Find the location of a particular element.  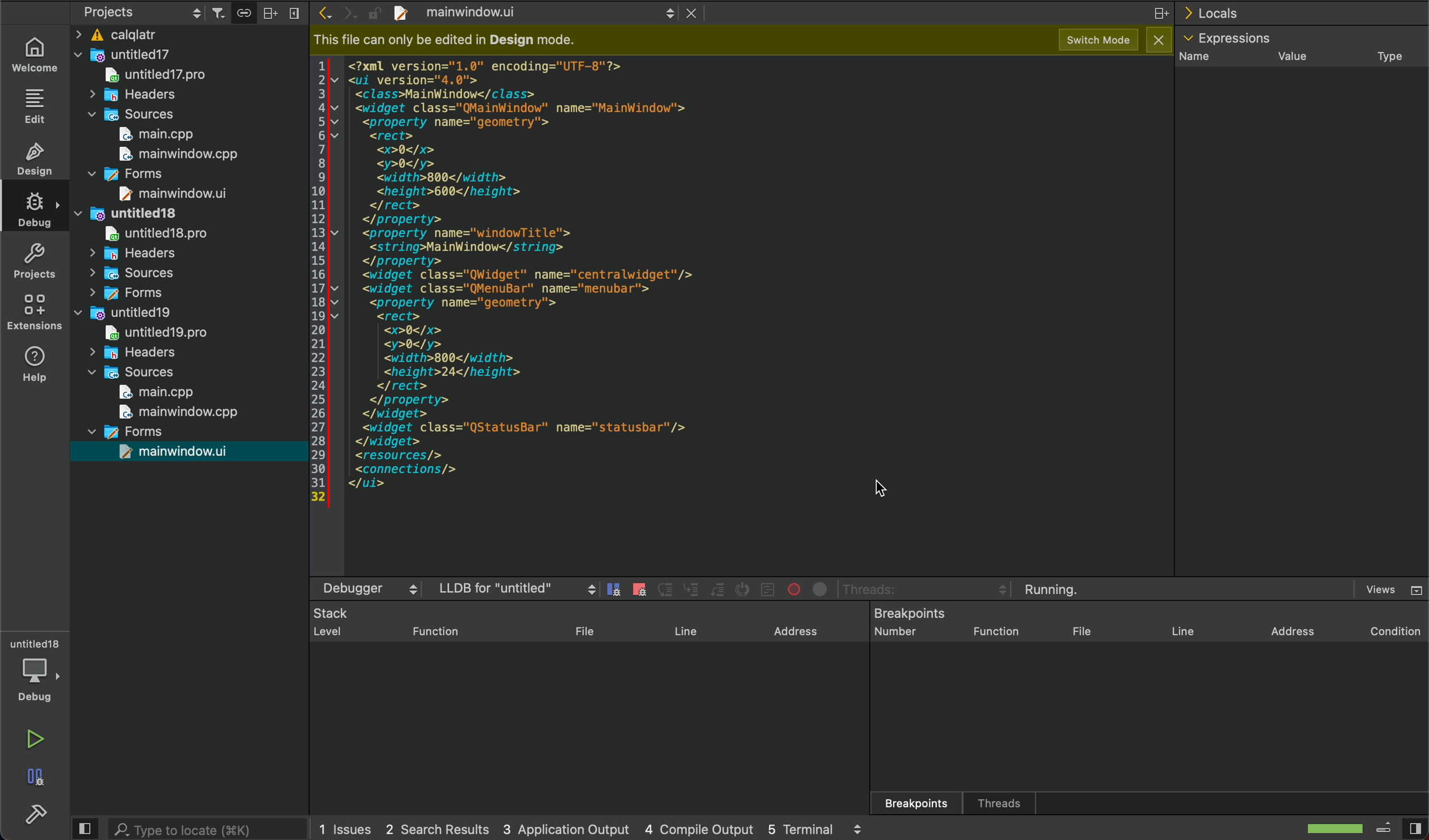

Debugger  is located at coordinates (366, 587).